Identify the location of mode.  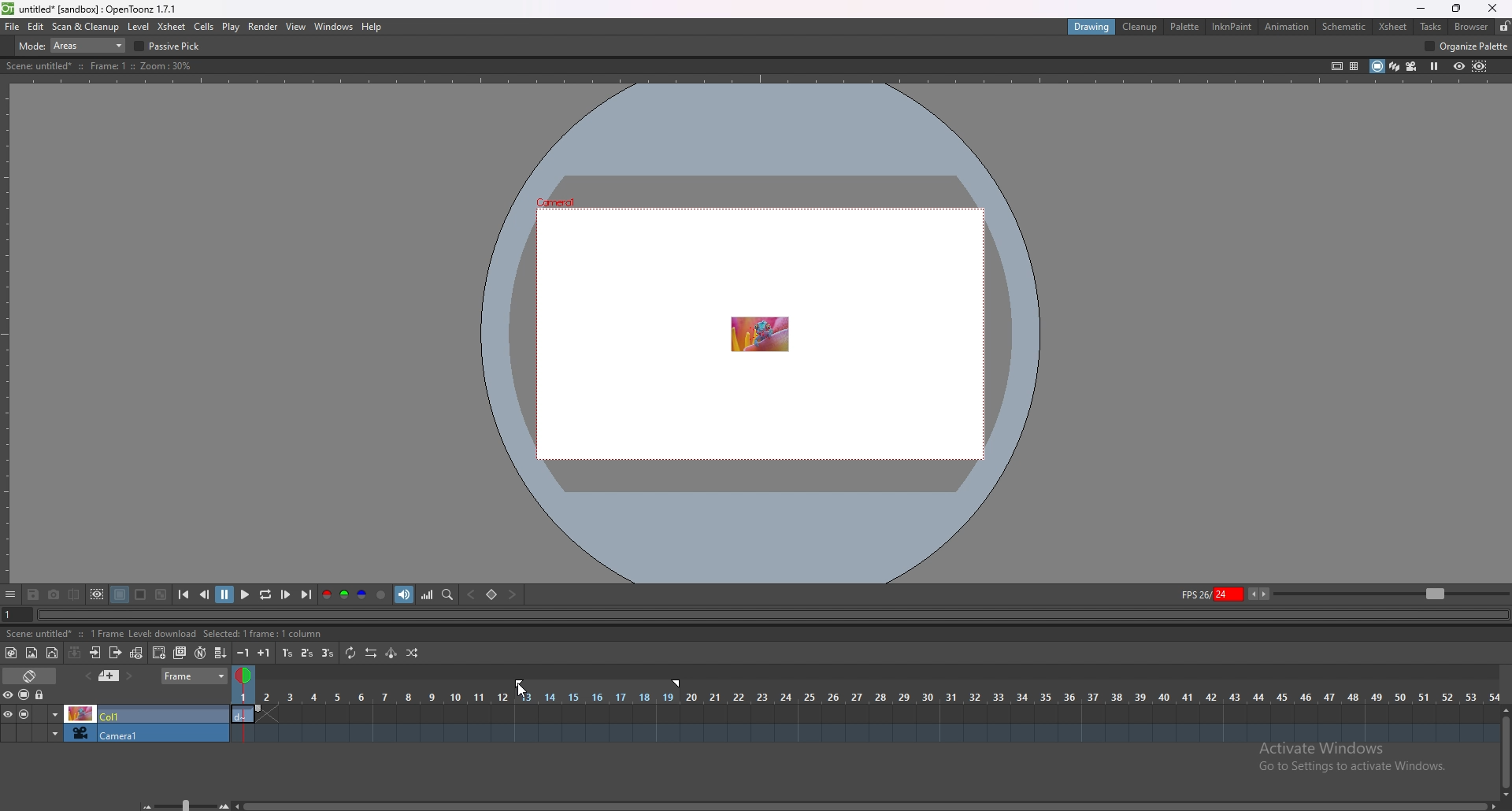
(72, 45).